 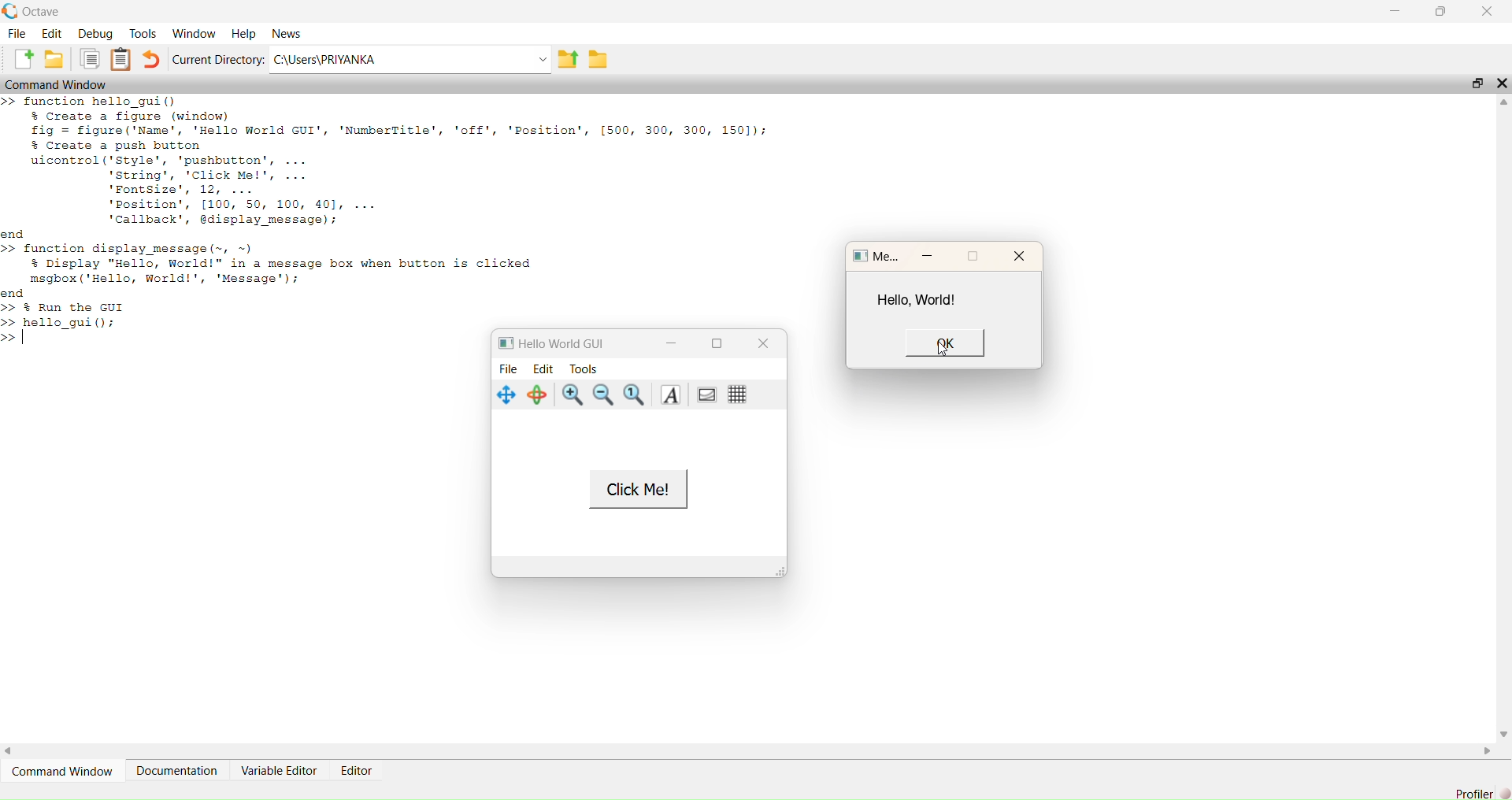 I want to click on File, so click(x=510, y=369).